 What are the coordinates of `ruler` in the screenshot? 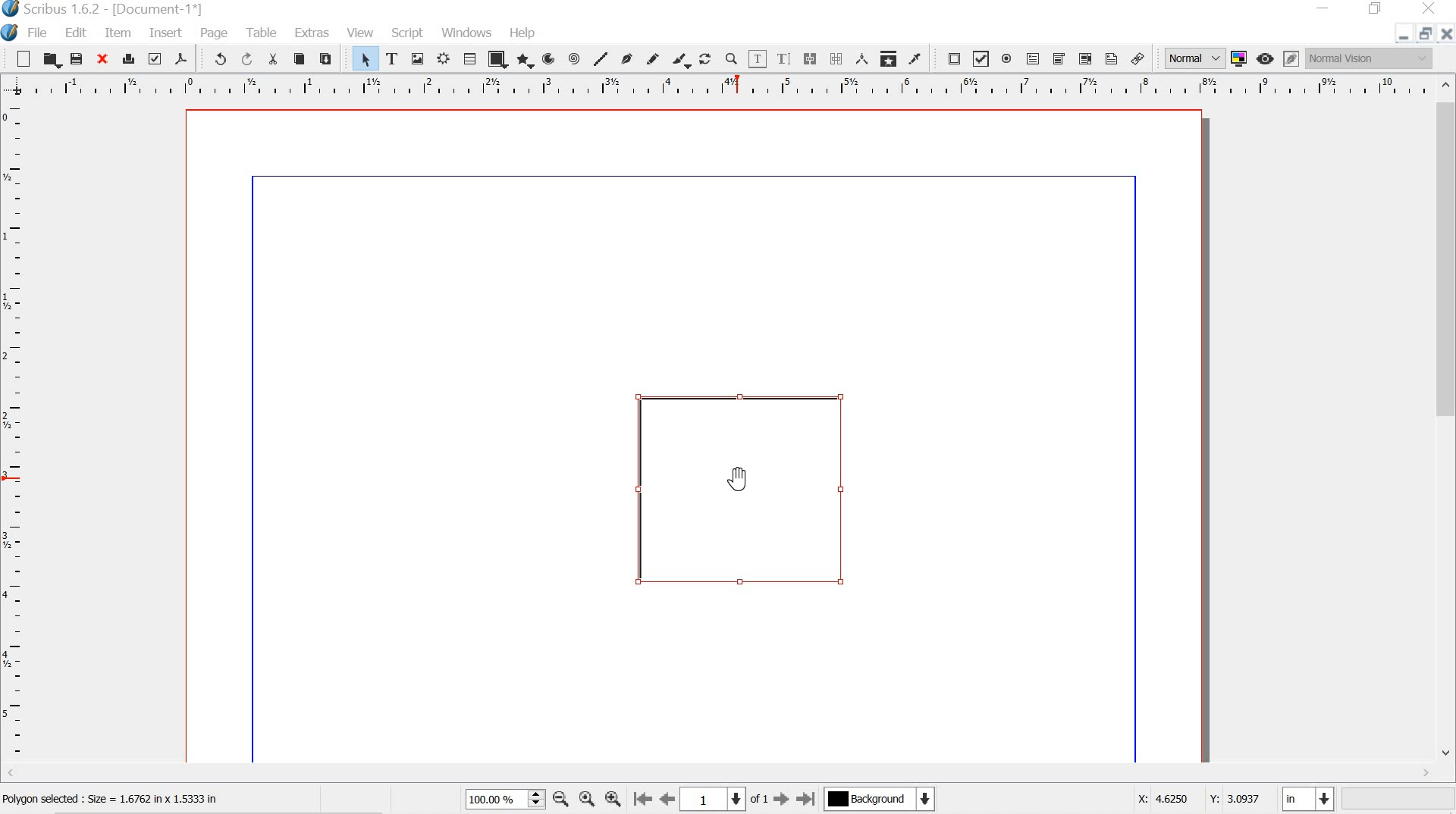 It's located at (720, 86).